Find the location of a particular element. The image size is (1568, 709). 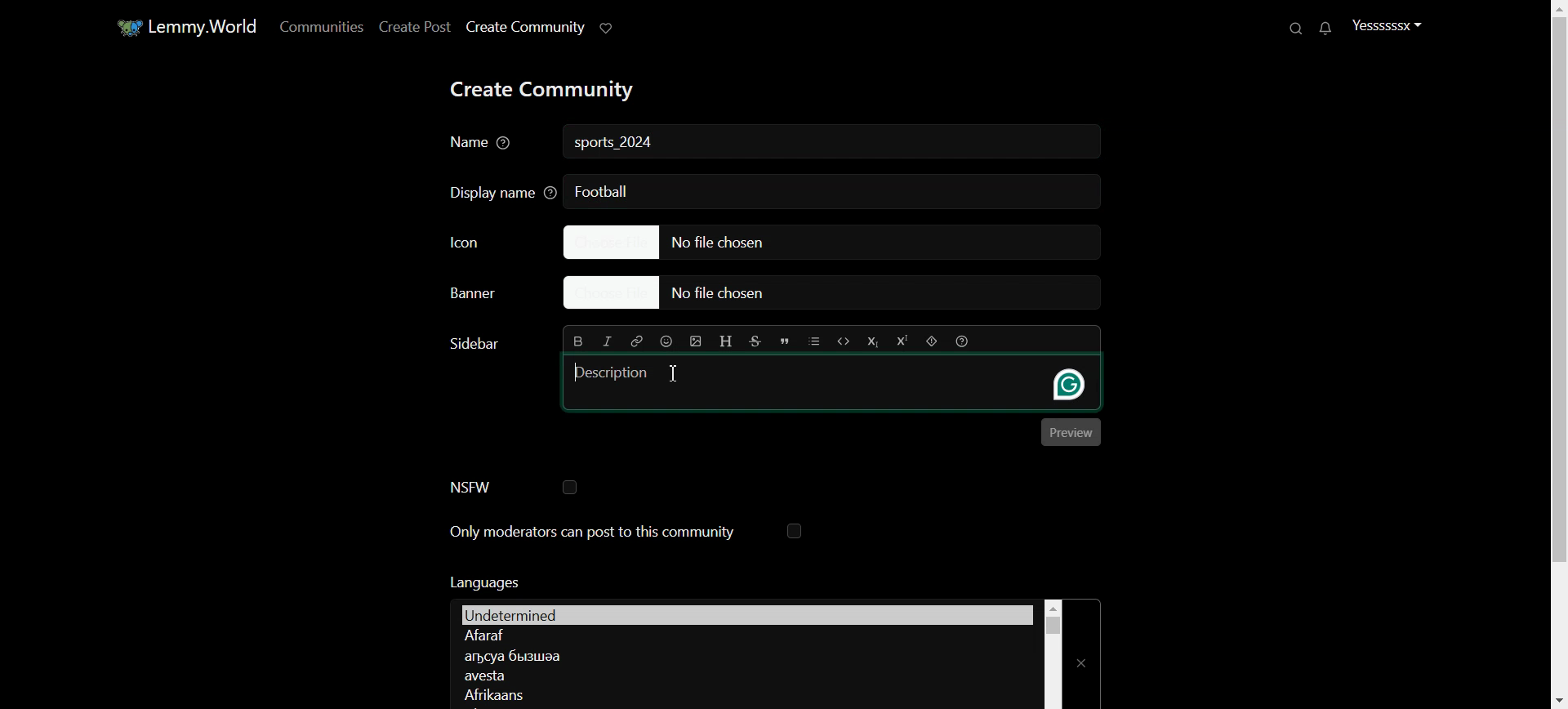

Close Window is located at coordinates (1083, 653).